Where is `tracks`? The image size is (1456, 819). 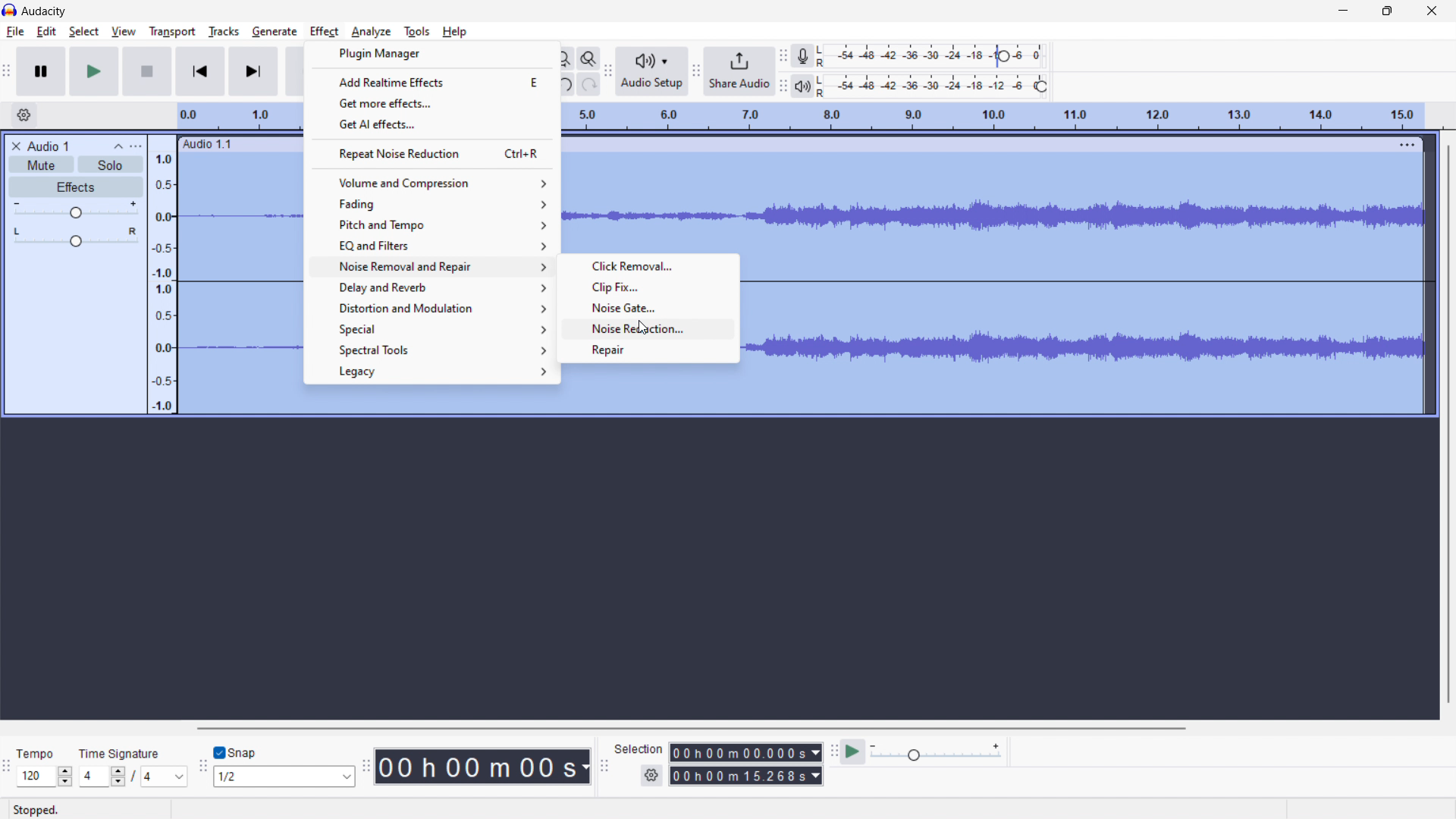
tracks is located at coordinates (223, 31).